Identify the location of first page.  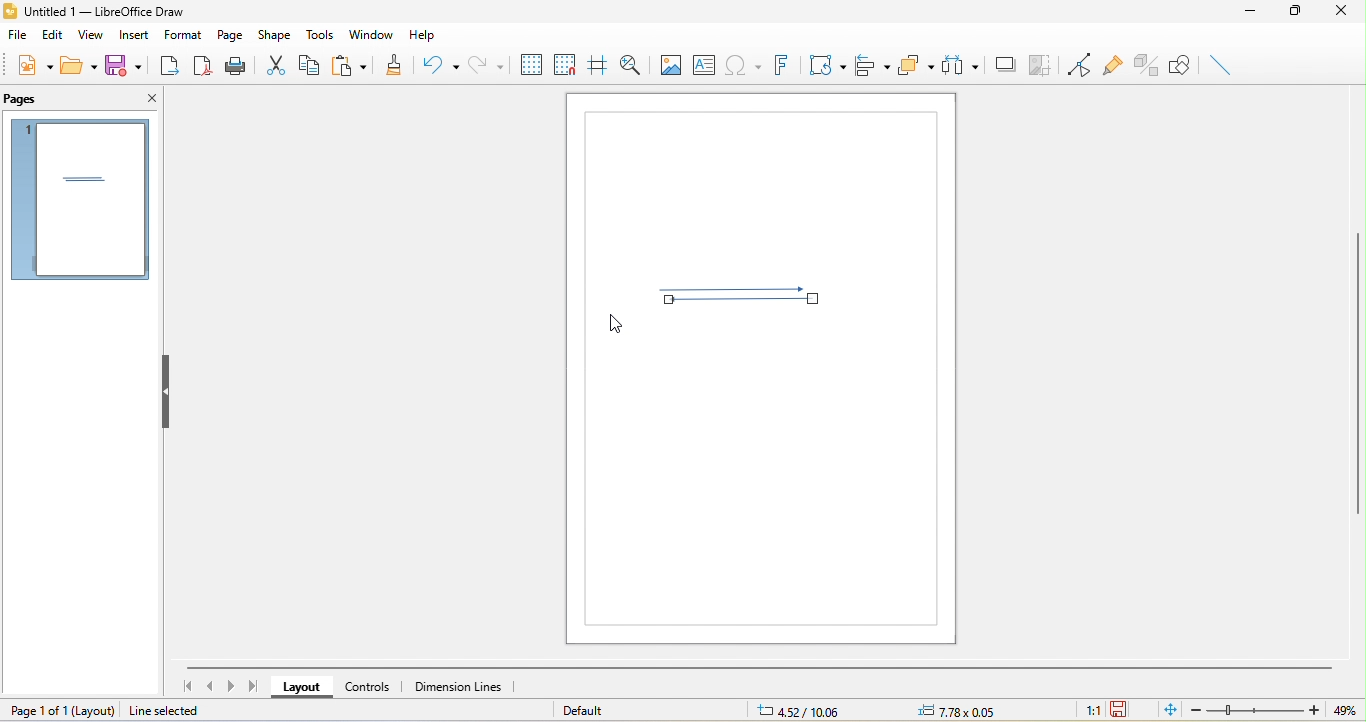
(185, 685).